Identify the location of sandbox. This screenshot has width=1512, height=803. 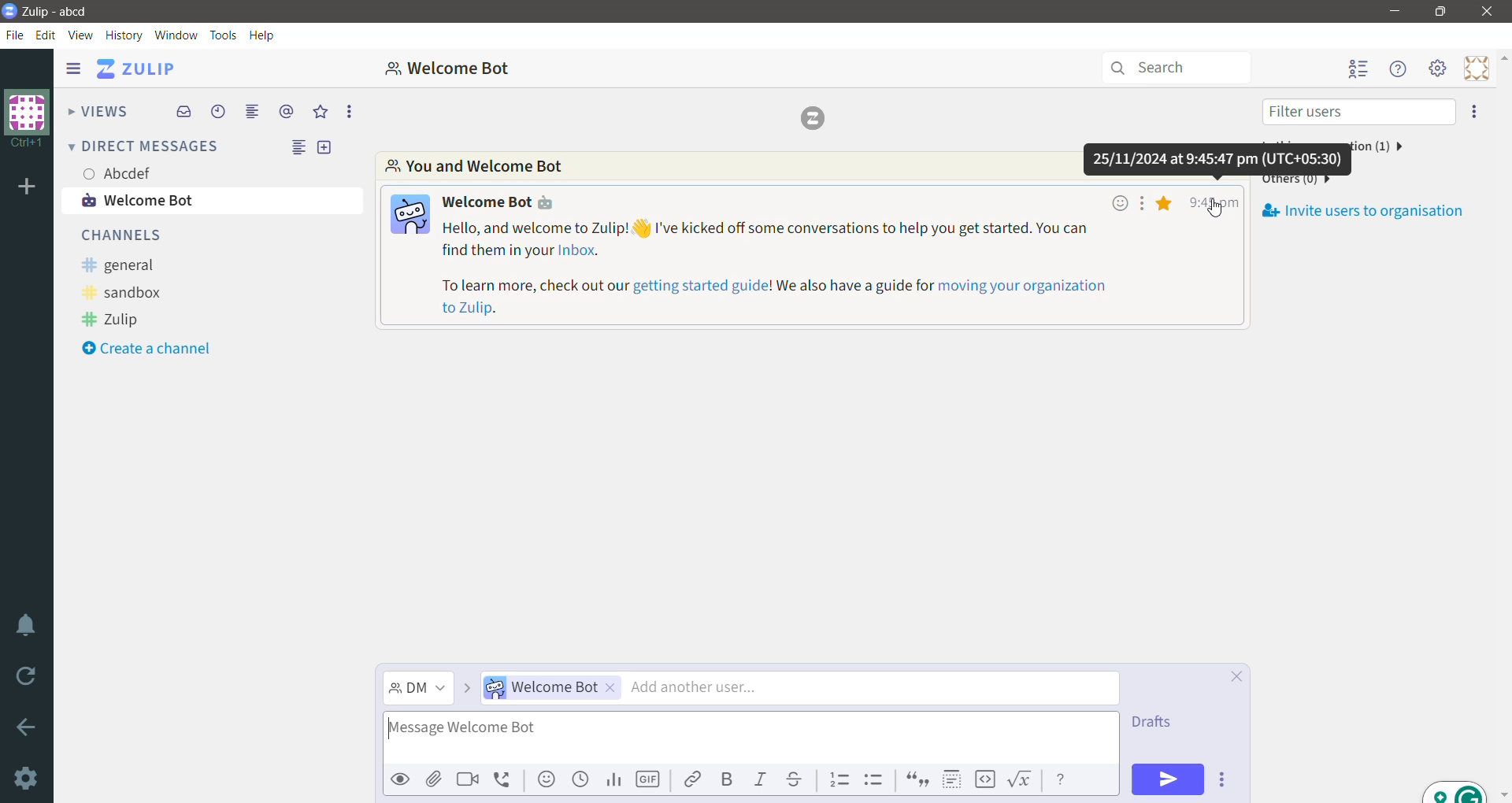
(131, 292).